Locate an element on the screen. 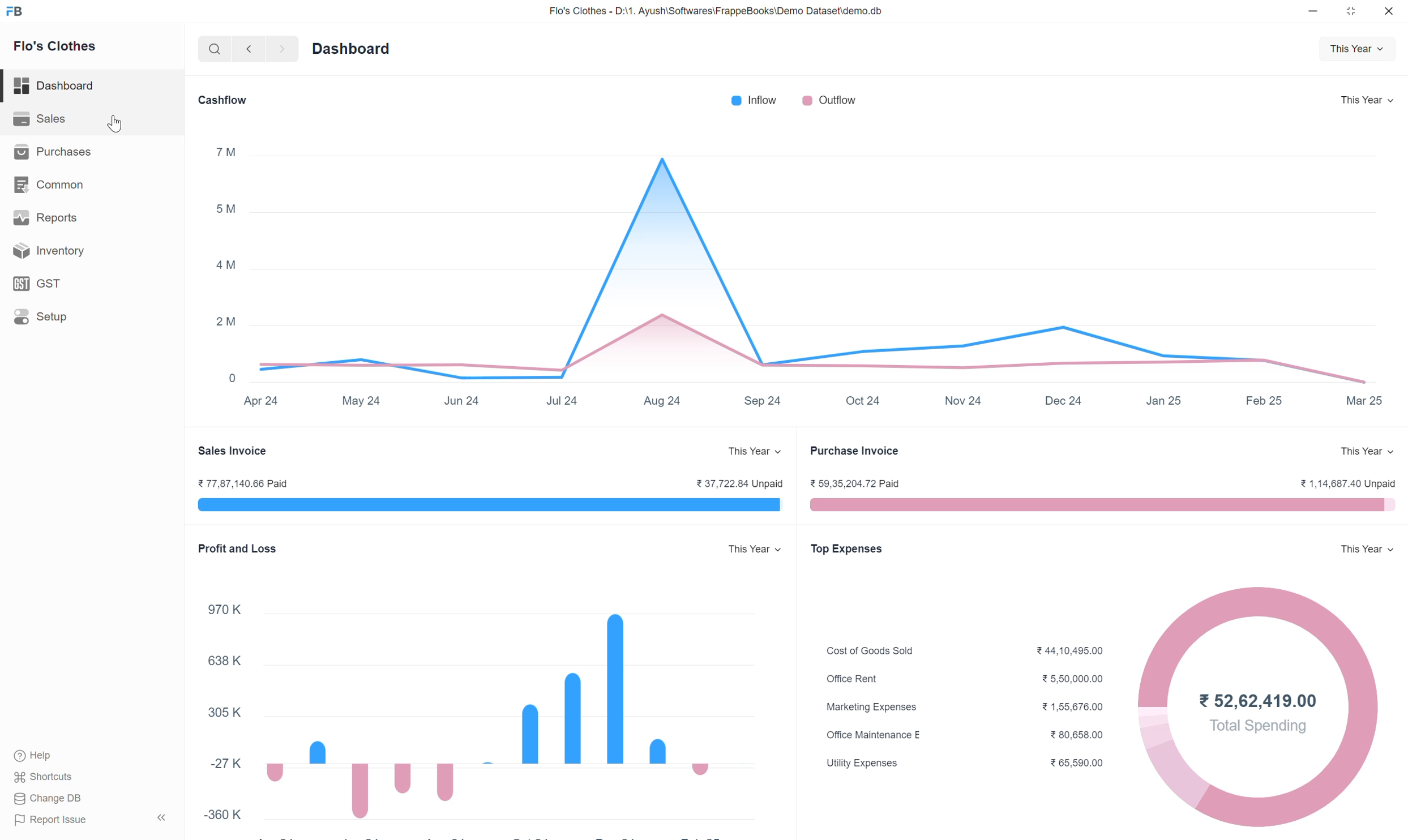  Purchases is located at coordinates (53, 152).